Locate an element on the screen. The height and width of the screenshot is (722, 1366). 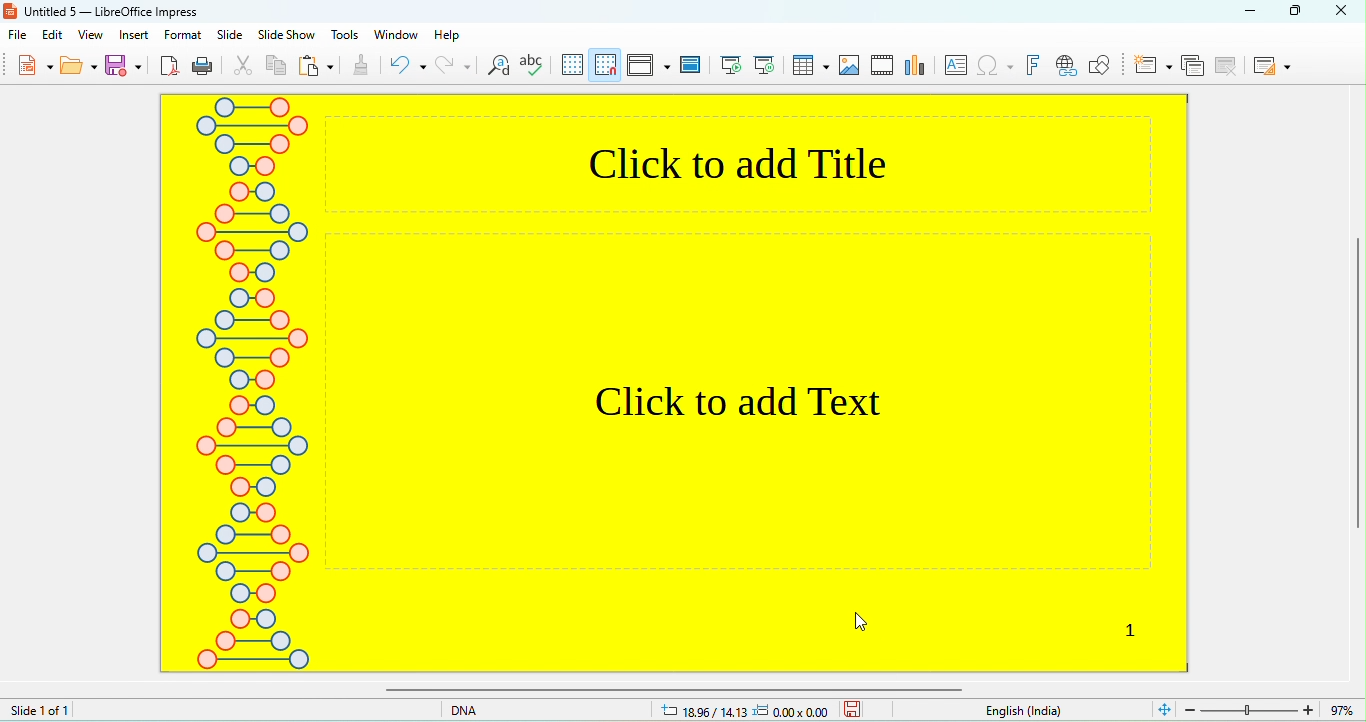
new is located at coordinates (33, 68).